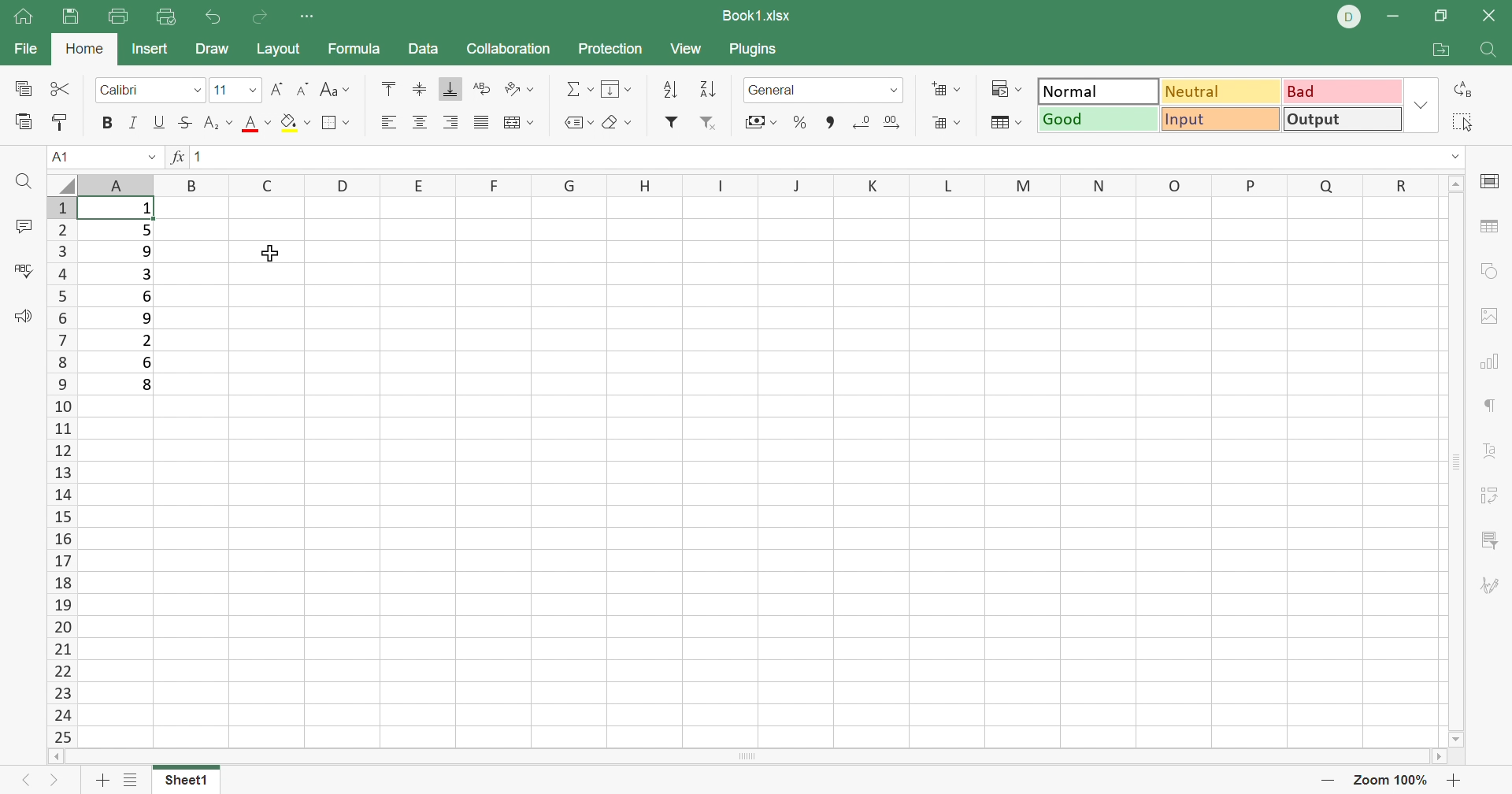  What do you see at coordinates (669, 90) in the screenshot?
I see `Sort descending` at bounding box center [669, 90].